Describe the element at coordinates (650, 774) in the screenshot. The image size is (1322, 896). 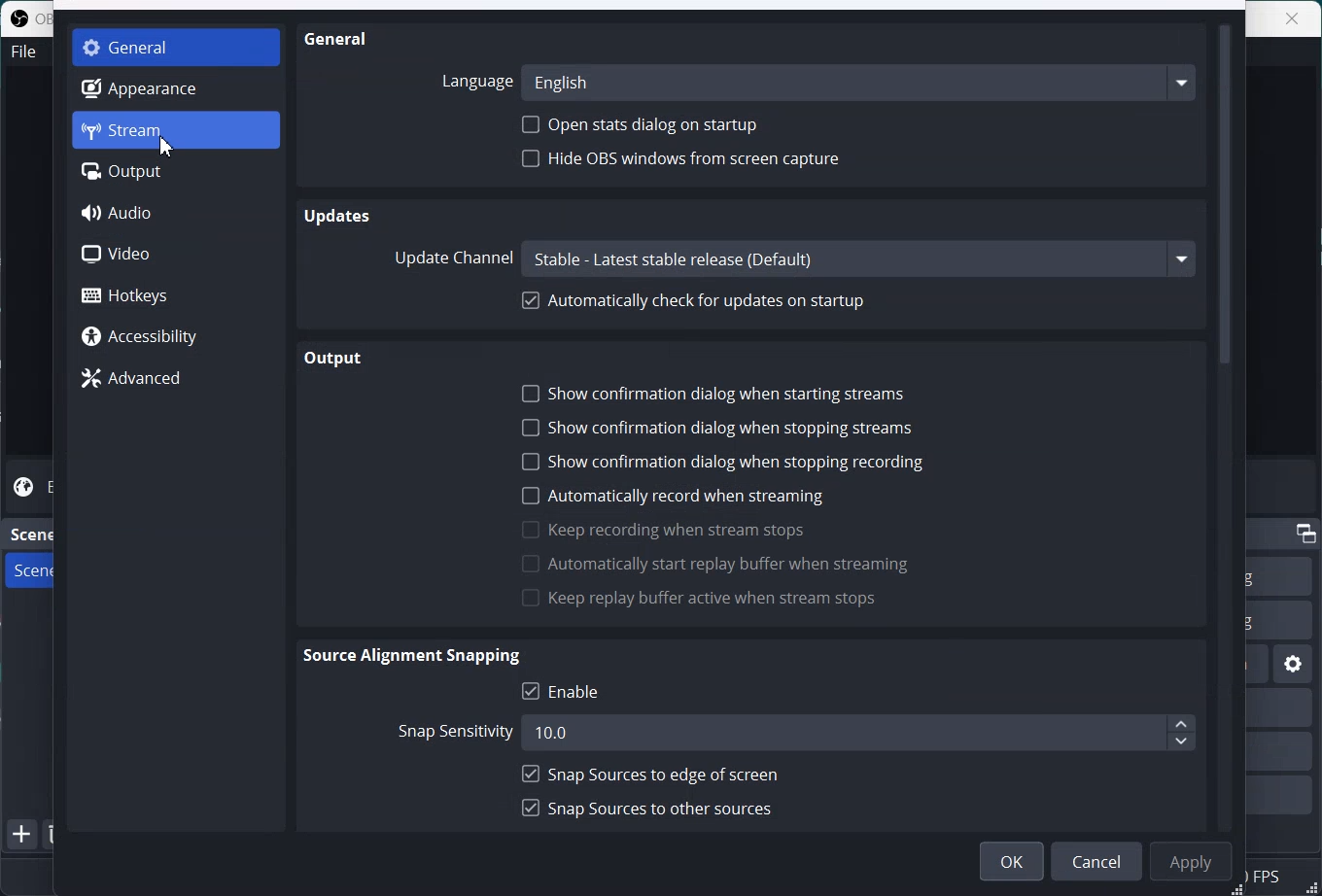
I see `Snap sources to edge of screen` at that location.